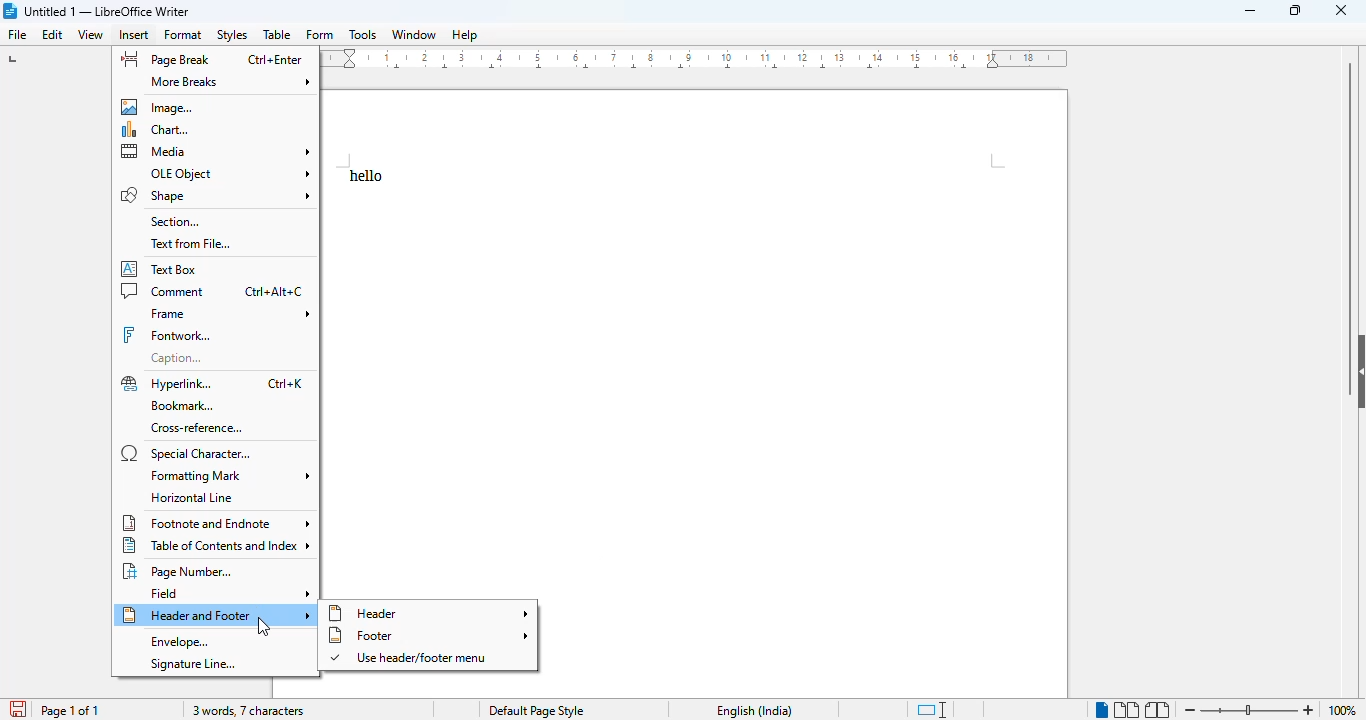 This screenshot has height=720, width=1366. I want to click on hyperlink, so click(169, 384).